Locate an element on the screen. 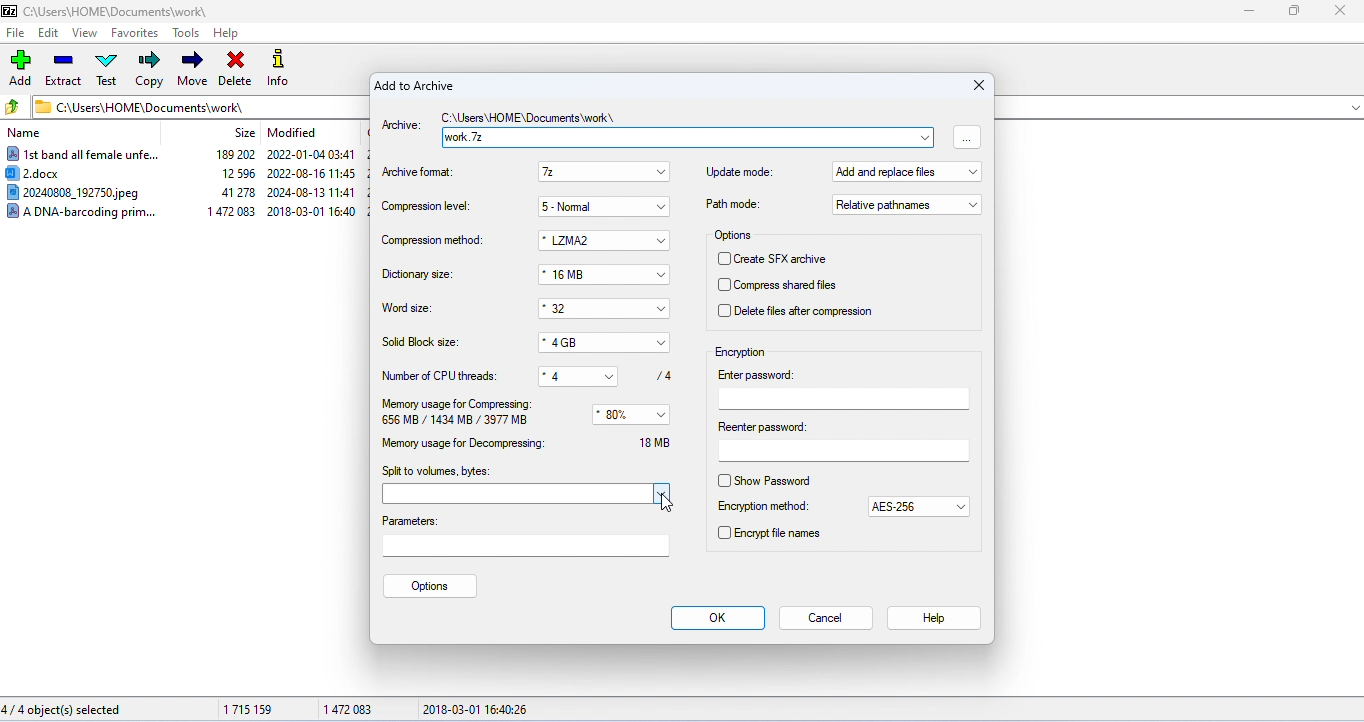  parameters is located at coordinates (527, 537).